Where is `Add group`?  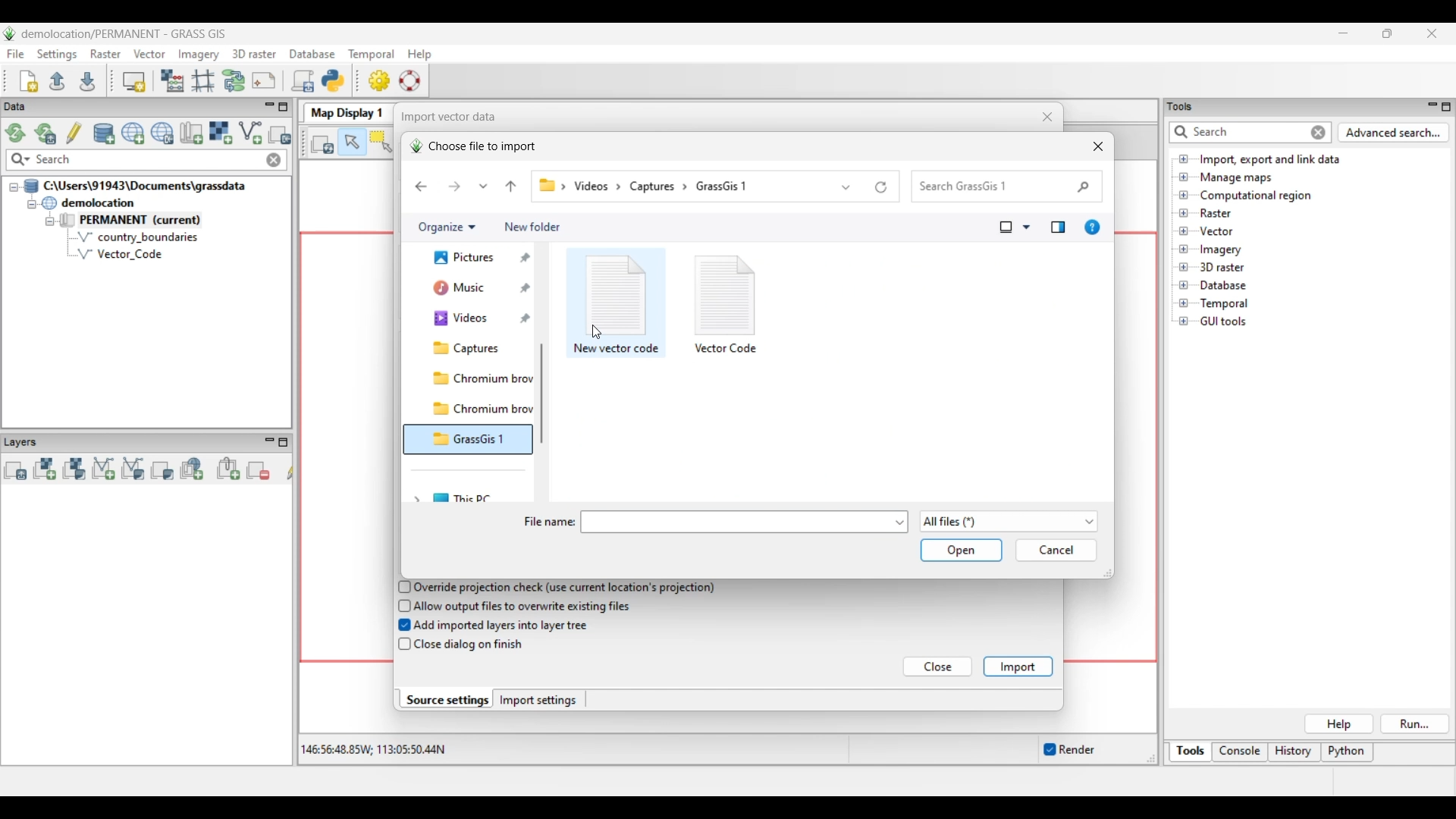 Add group is located at coordinates (228, 469).